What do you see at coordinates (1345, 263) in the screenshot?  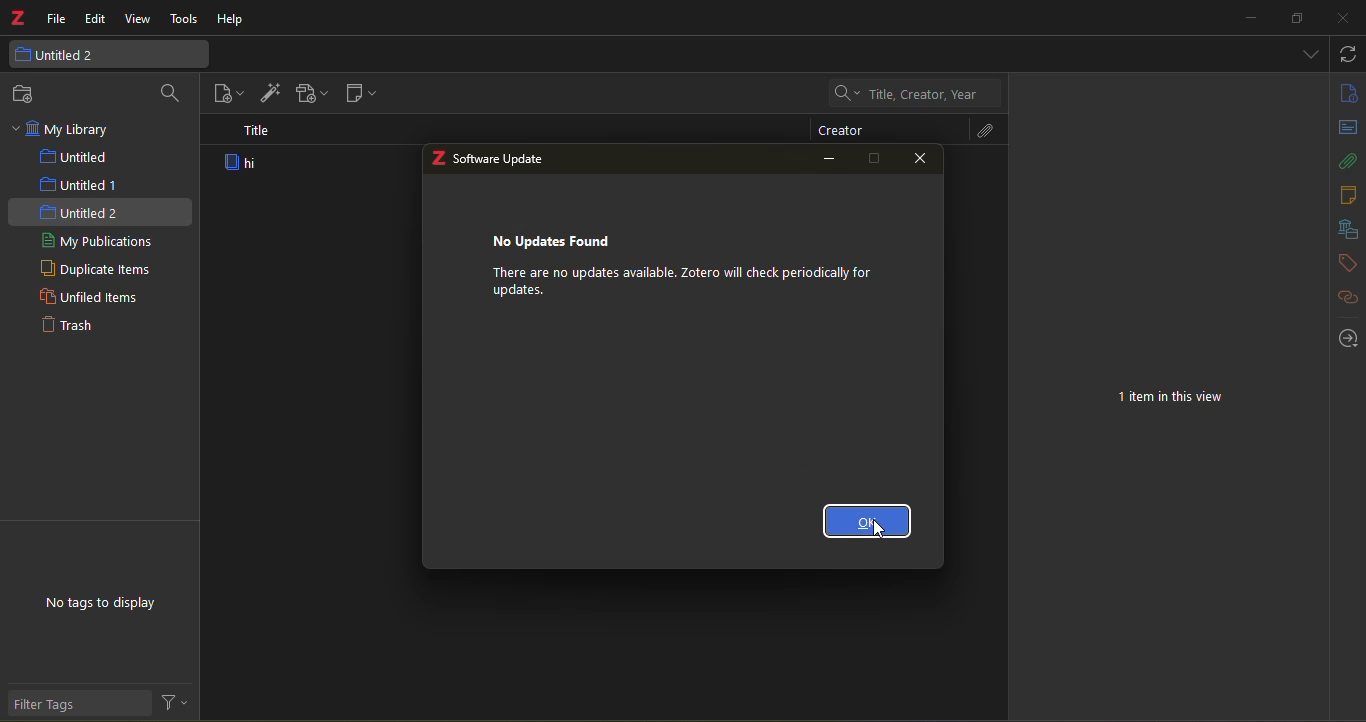 I see `tags` at bounding box center [1345, 263].